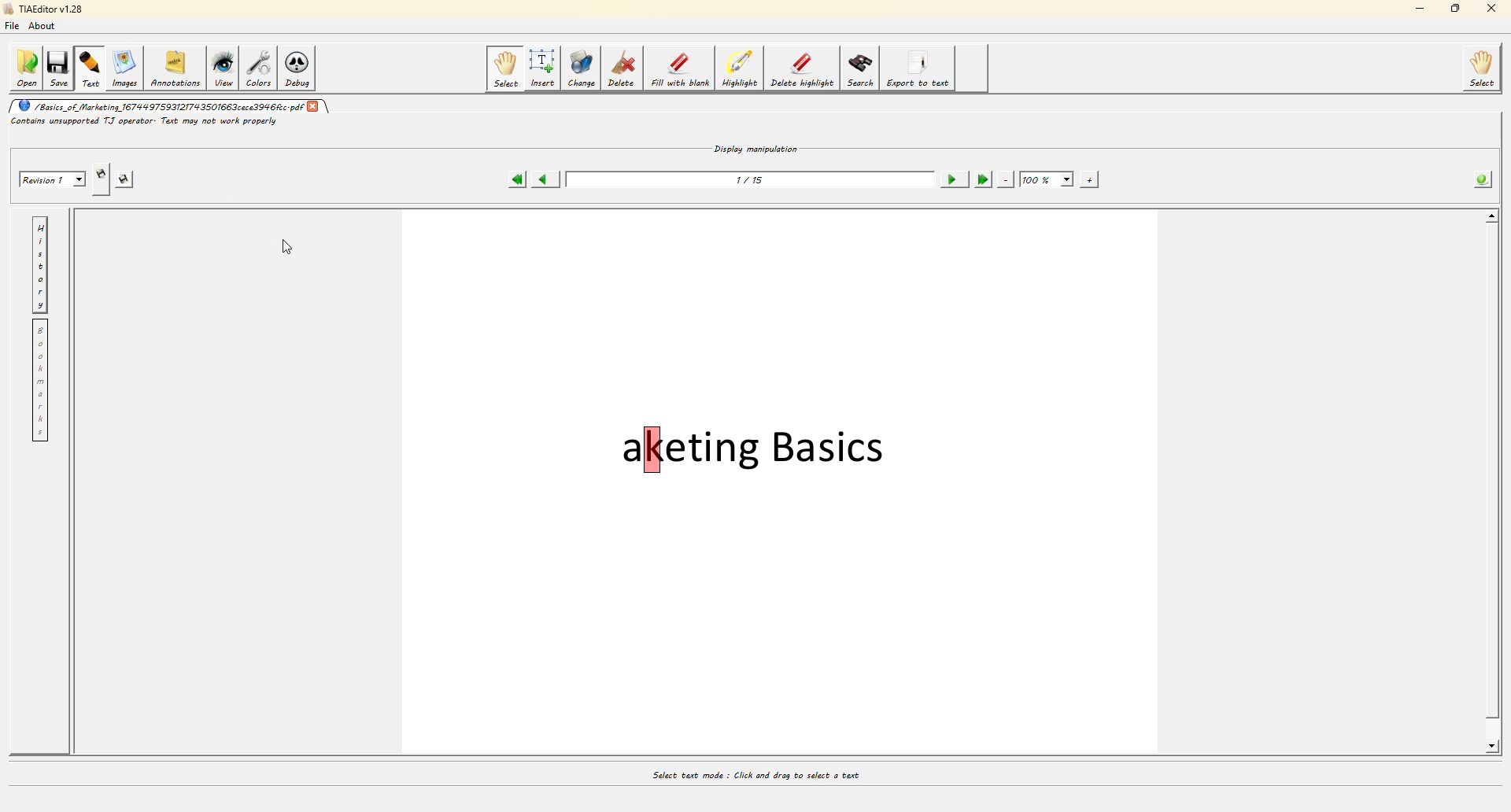  Describe the element at coordinates (39, 381) in the screenshot. I see `bookmarks` at that location.